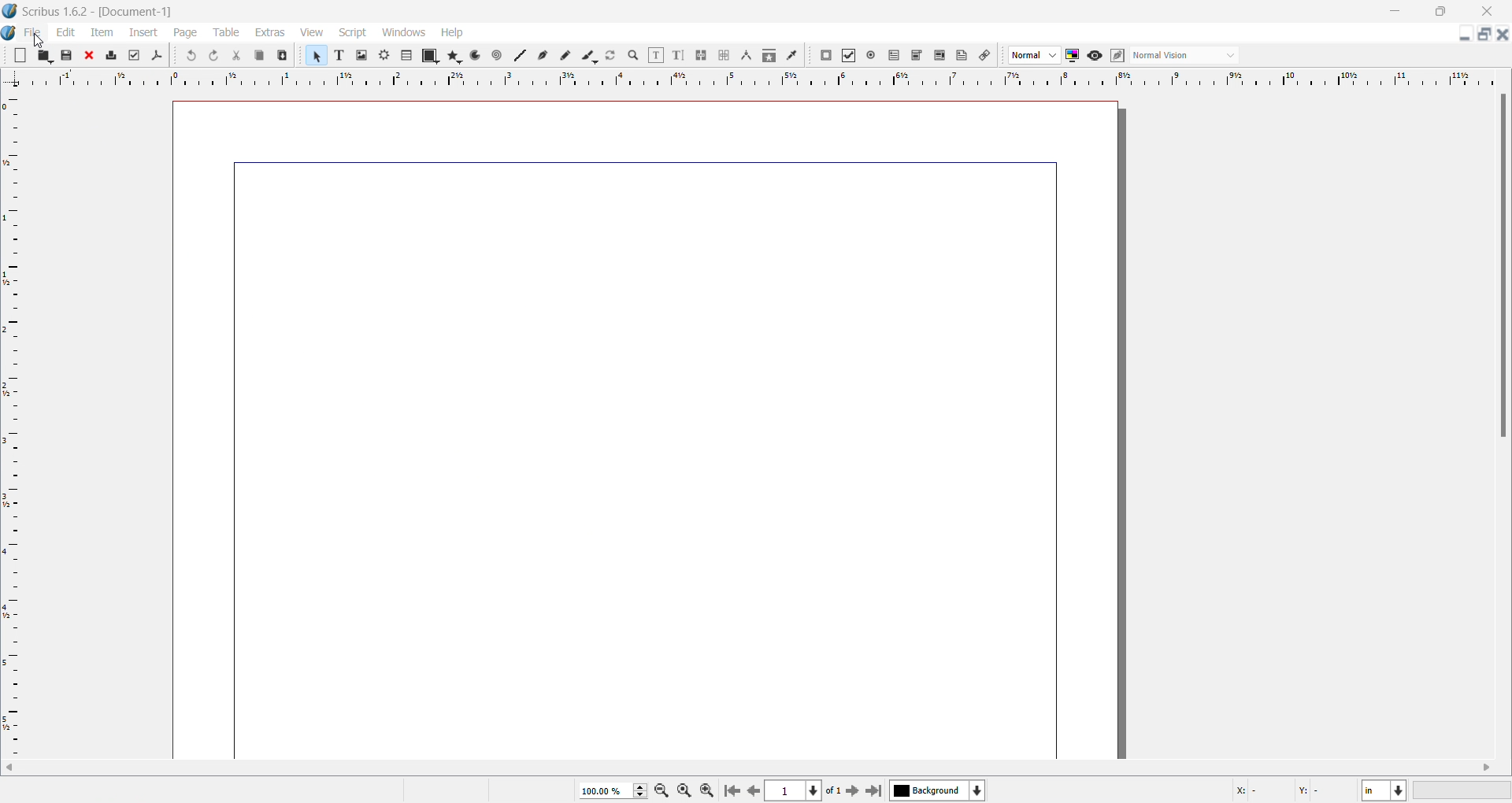  I want to click on Background, so click(943, 791).